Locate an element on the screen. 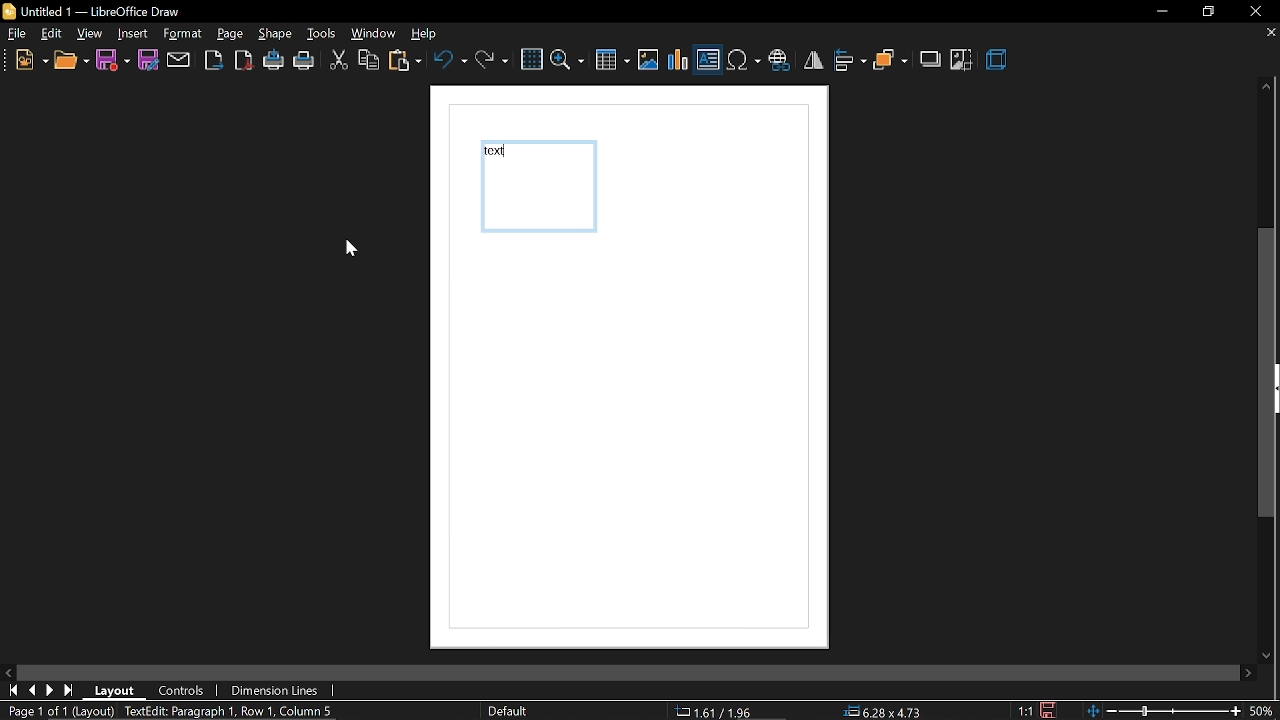 This screenshot has height=720, width=1280. move right is located at coordinates (1248, 672).